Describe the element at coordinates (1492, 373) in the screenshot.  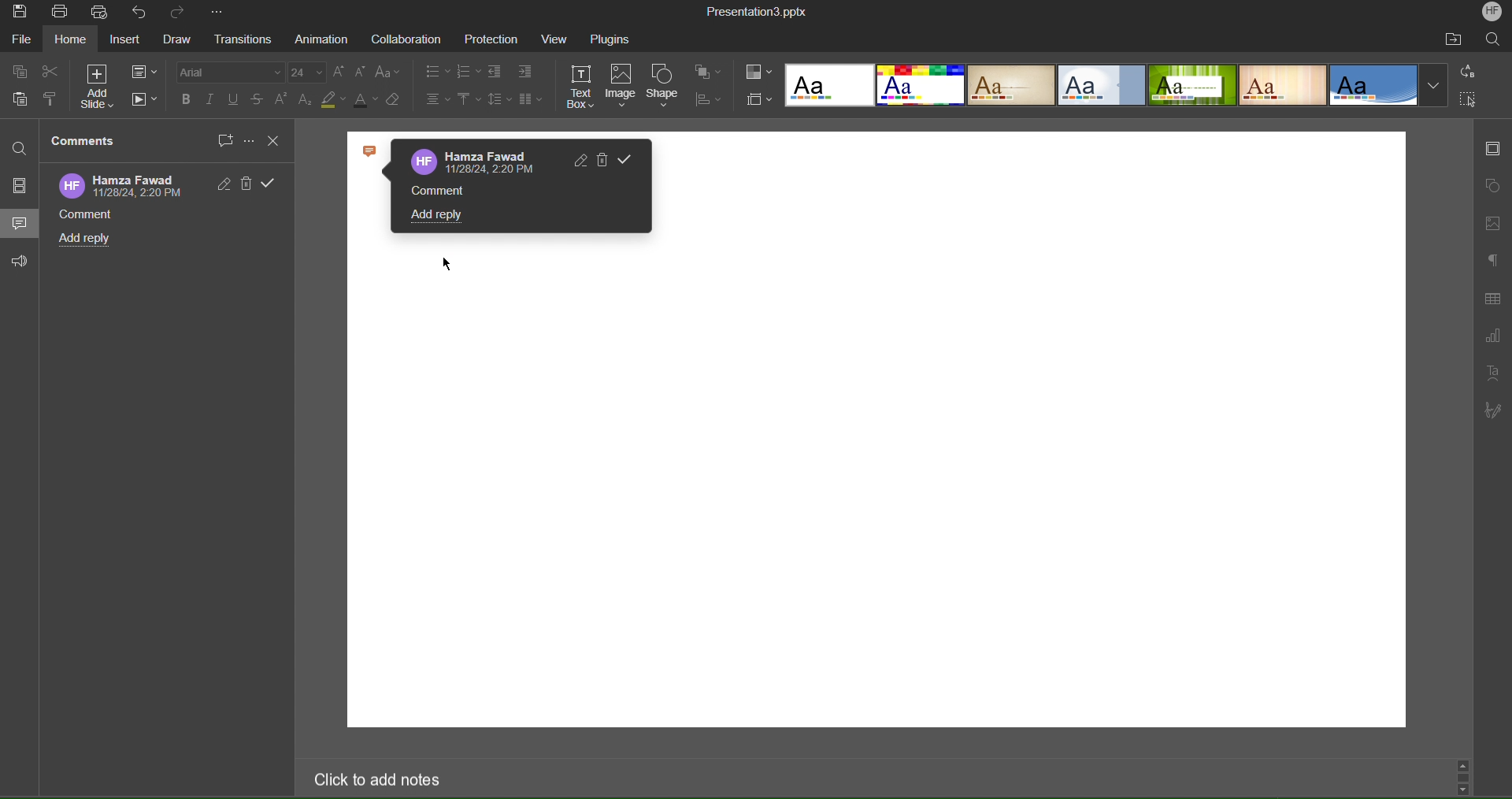
I see `Text Art` at that location.